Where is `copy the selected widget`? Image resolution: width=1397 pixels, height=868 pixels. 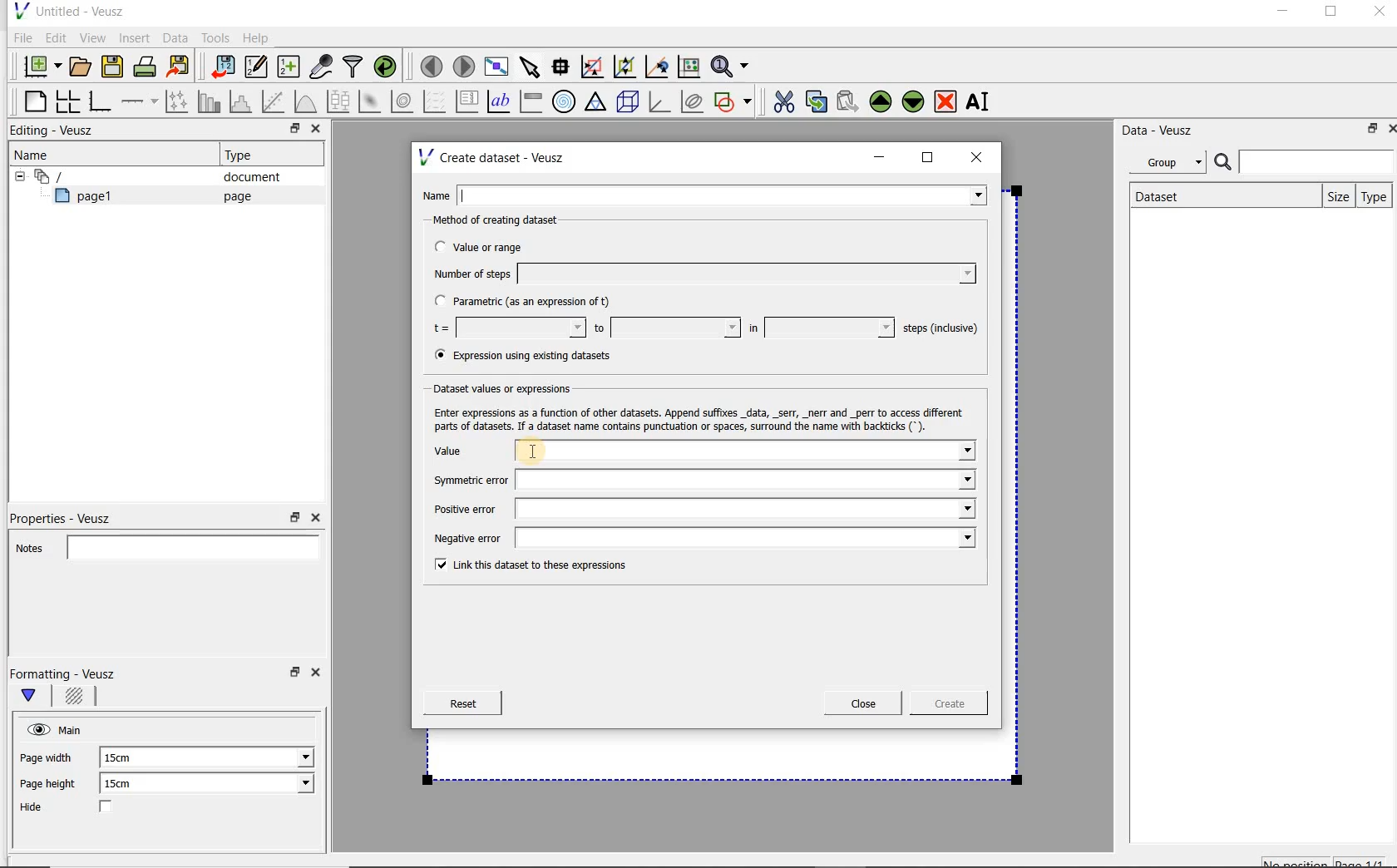
copy the selected widget is located at coordinates (817, 101).